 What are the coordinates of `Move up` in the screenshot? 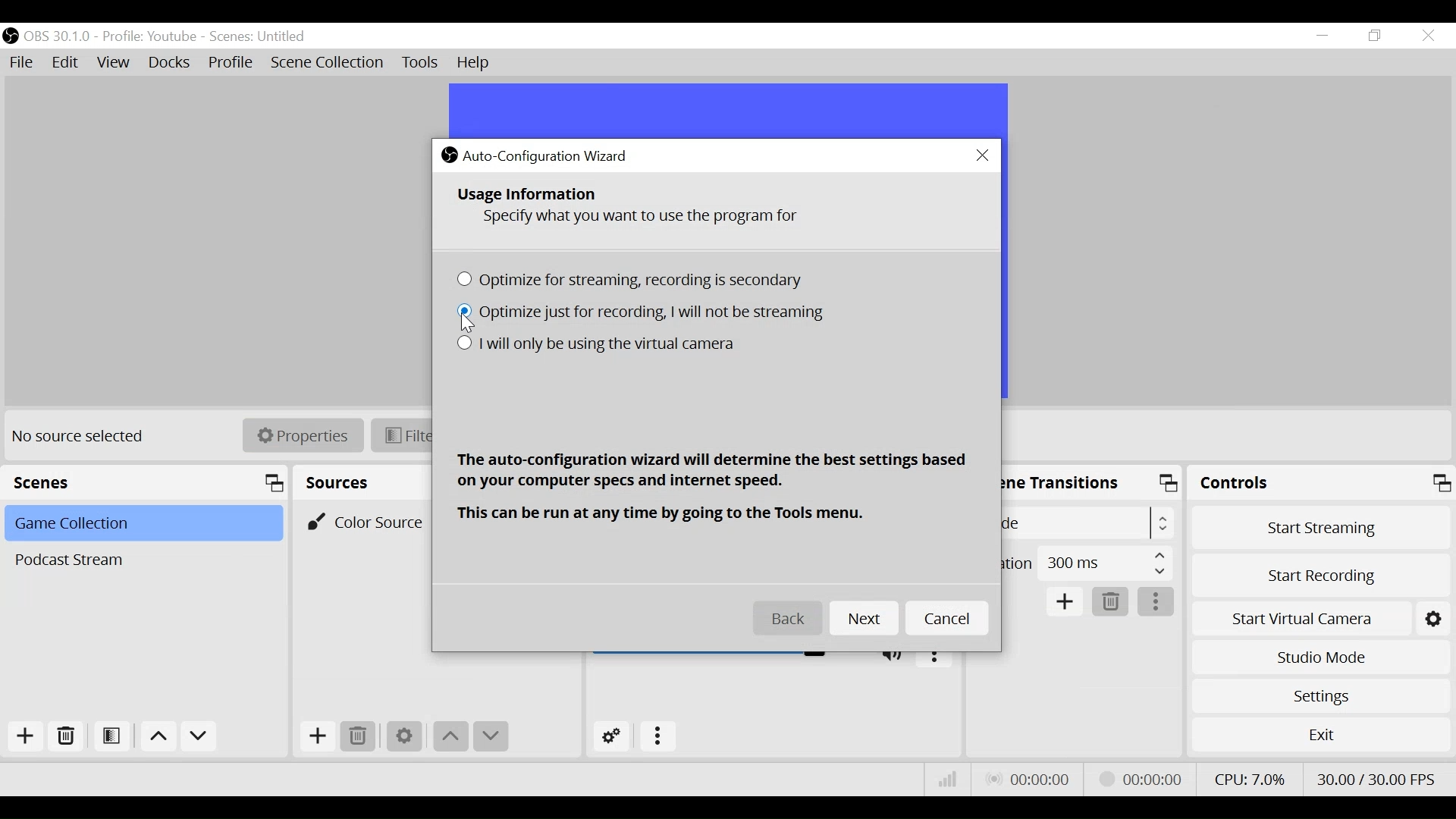 It's located at (156, 736).